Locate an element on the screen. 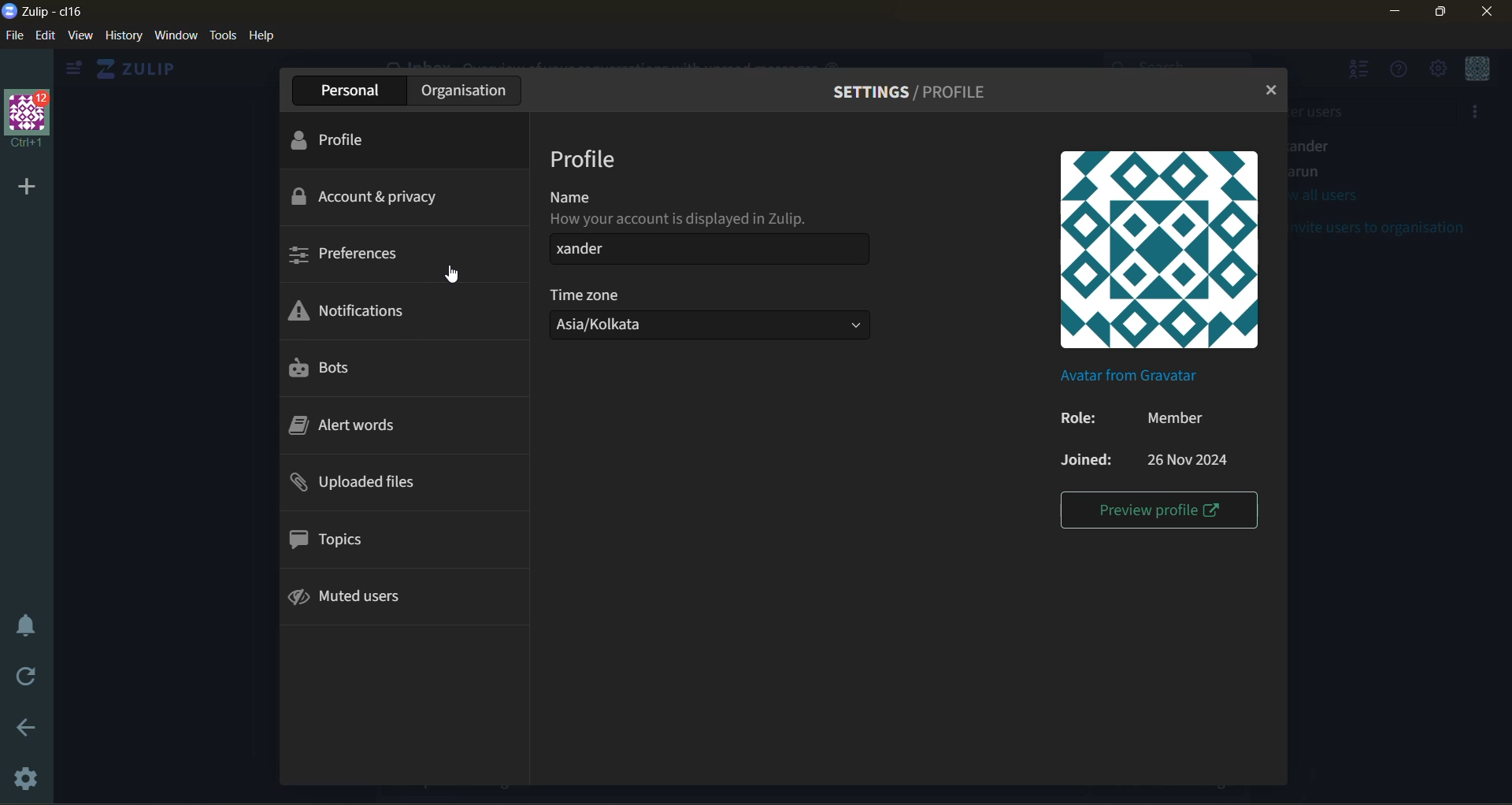 The image size is (1512, 805). edit is located at coordinates (45, 36).